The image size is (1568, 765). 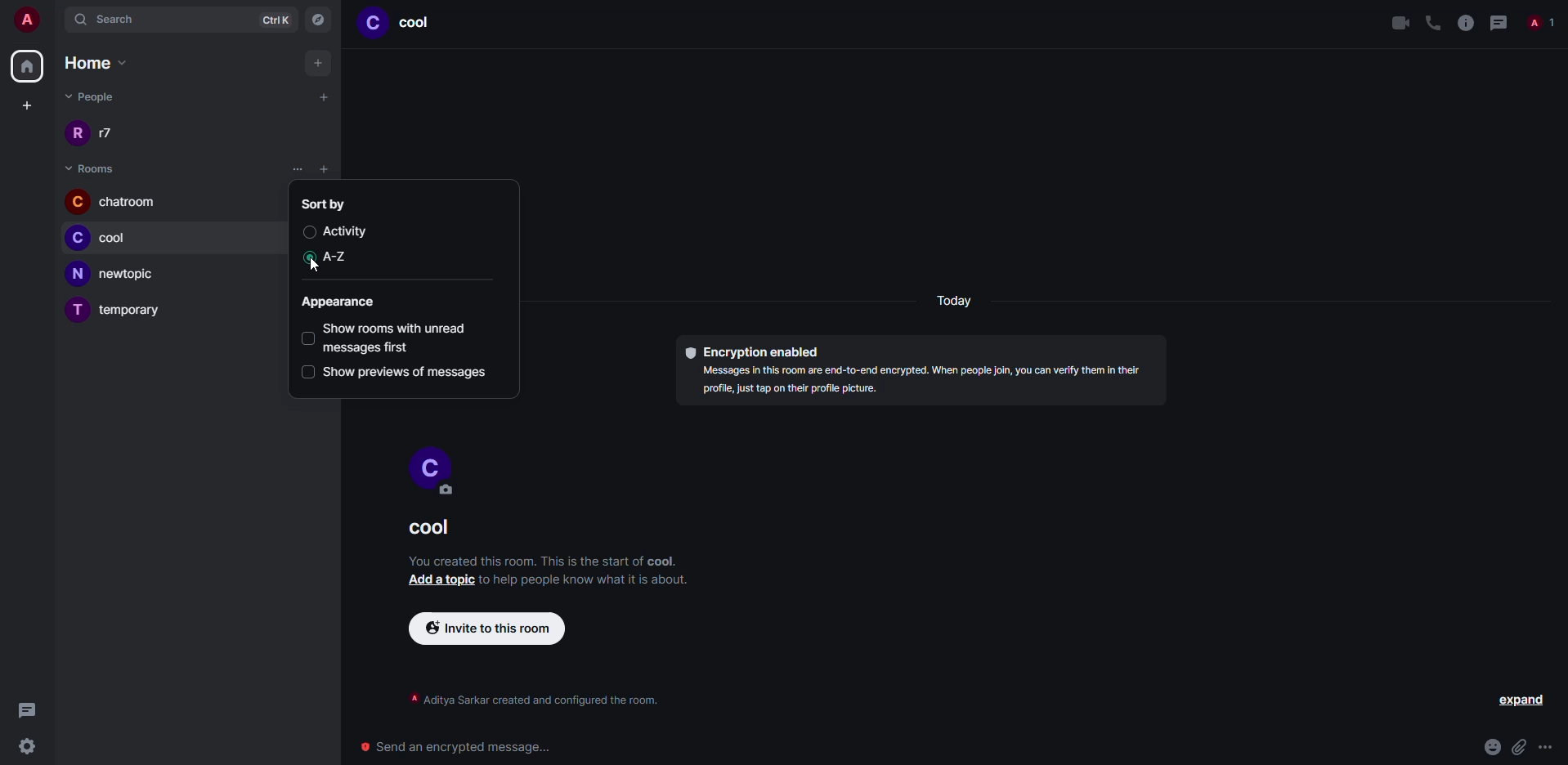 I want to click on newtopic, so click(x=127, y=271).